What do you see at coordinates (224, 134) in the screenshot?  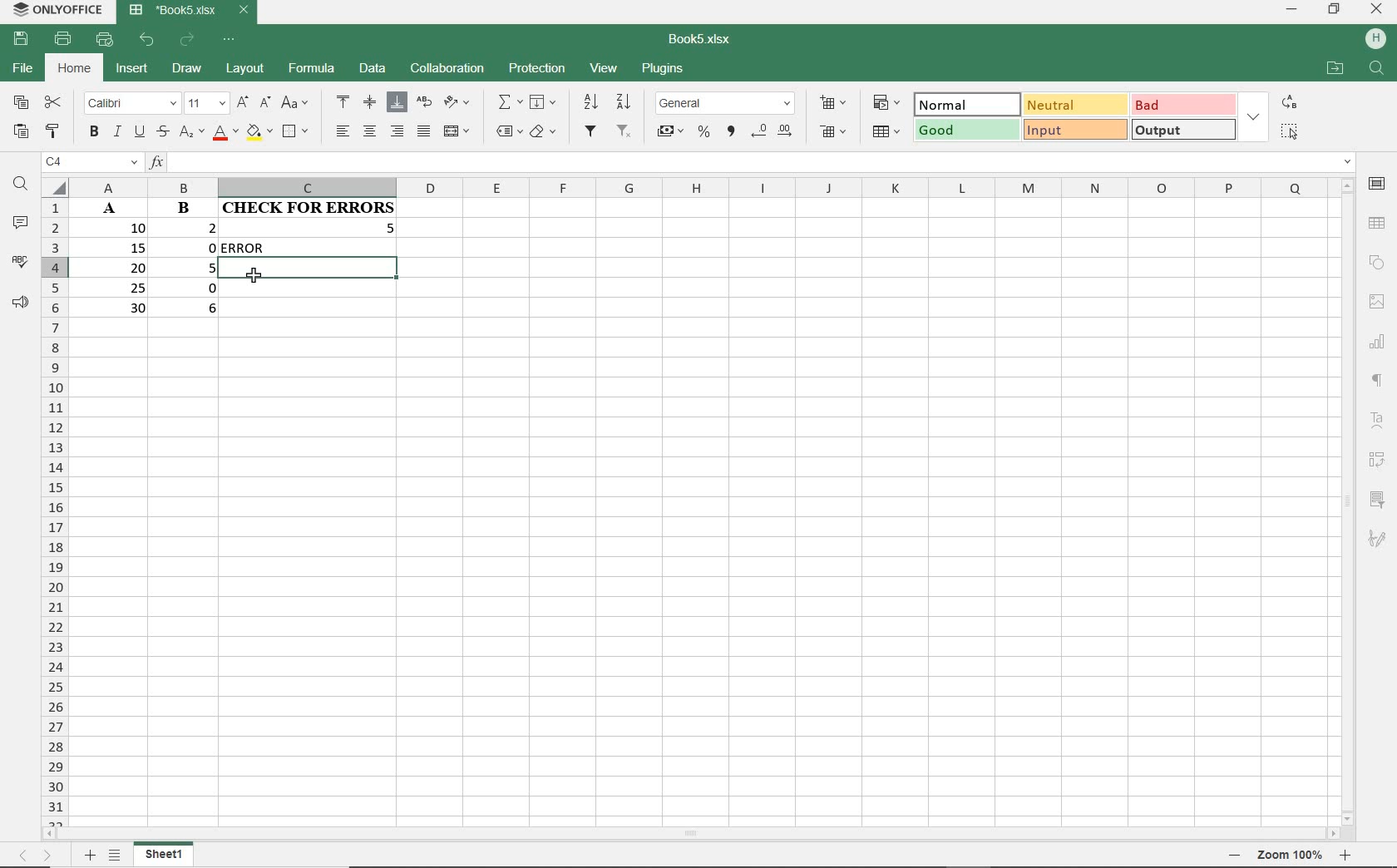 I see `FONT COLOR` at bounding box center [224, 134].